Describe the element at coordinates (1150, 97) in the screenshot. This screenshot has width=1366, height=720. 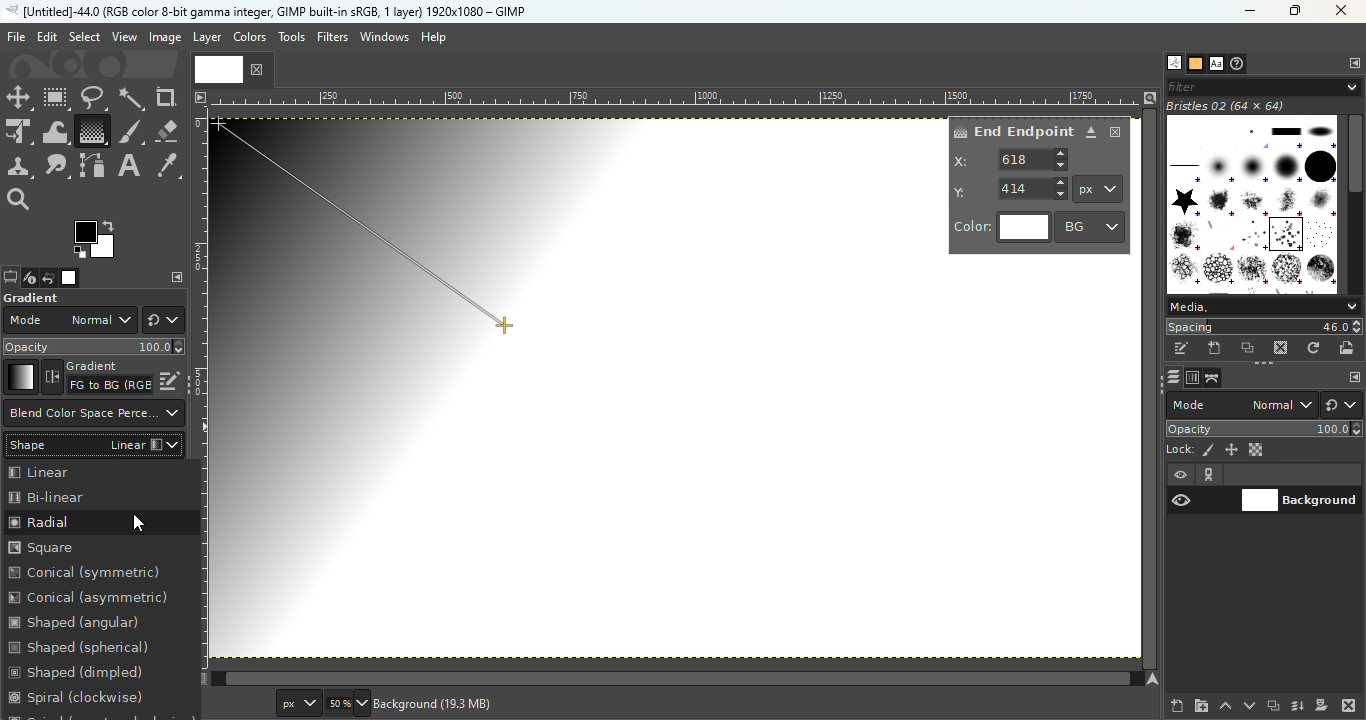
I see `Zoom image when window size changes` at that location.